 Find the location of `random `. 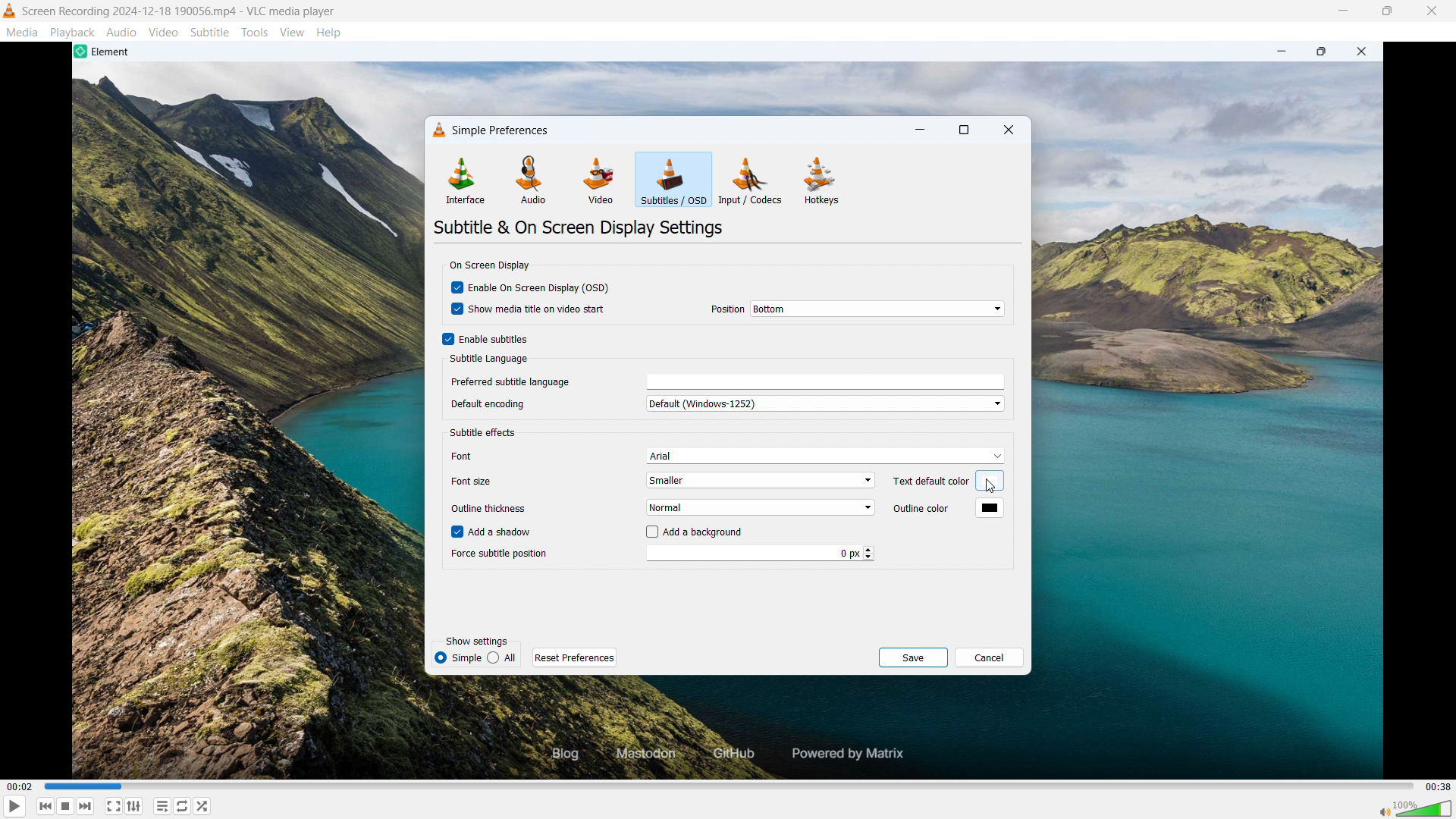

random  is located at coordinates (203, 806).